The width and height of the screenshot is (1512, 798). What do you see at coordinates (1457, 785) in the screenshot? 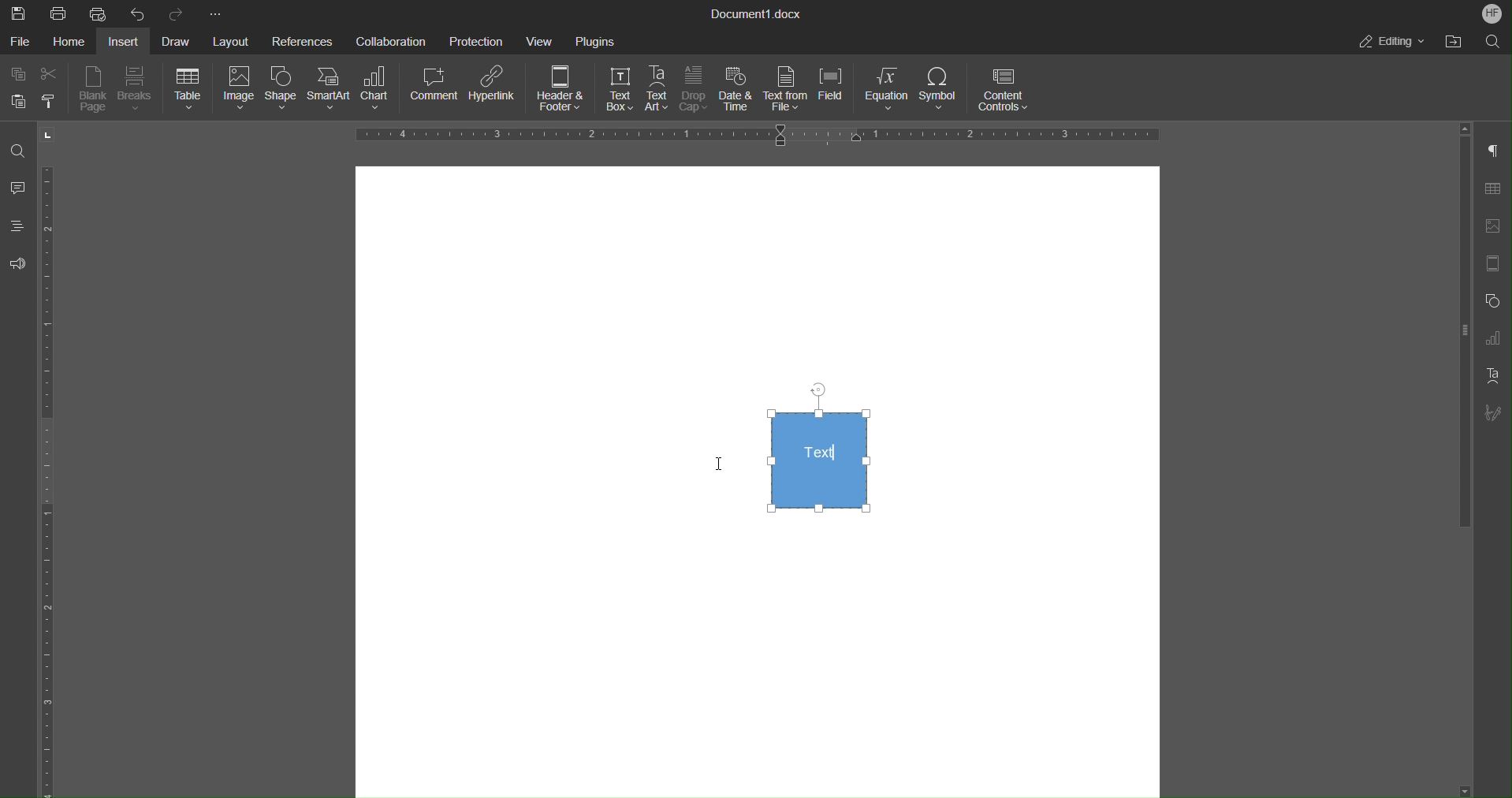
I see `scroll down` at bounding box center [1457, 785].